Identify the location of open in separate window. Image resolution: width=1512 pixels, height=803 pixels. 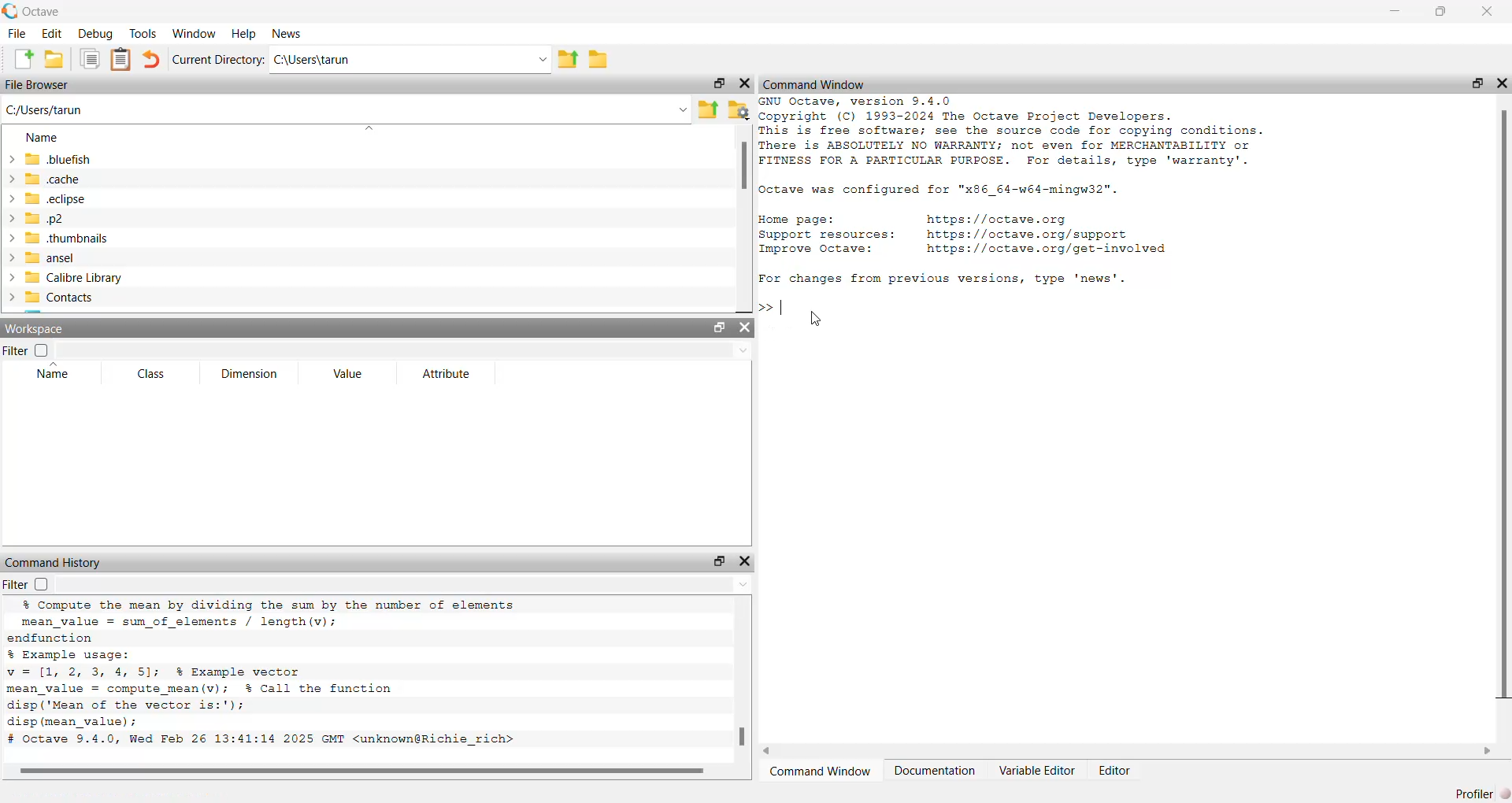
(1478, 83).